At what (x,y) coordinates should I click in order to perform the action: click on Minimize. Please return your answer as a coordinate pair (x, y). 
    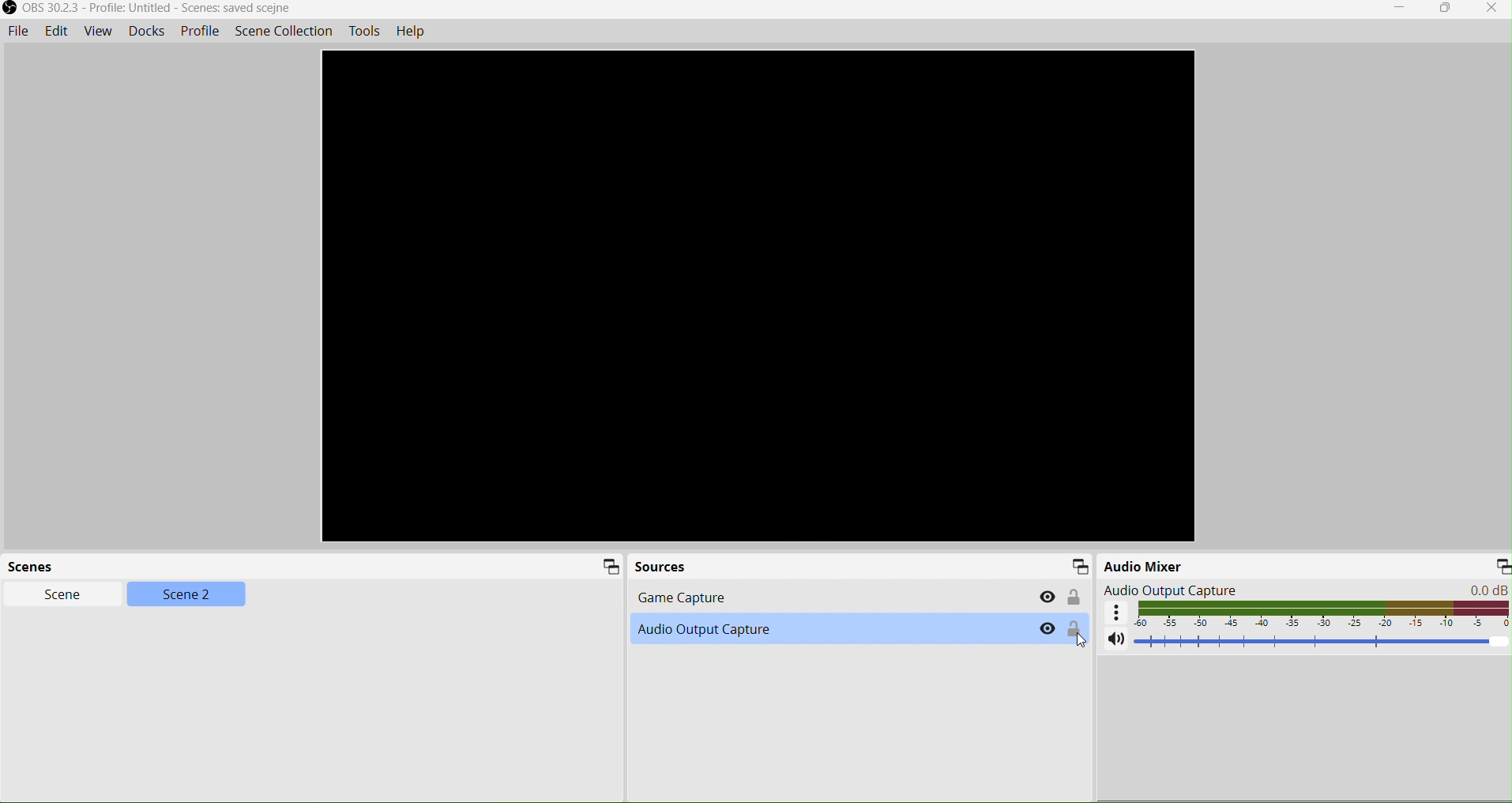
    Looking at the image, I should click on (1401, 13).